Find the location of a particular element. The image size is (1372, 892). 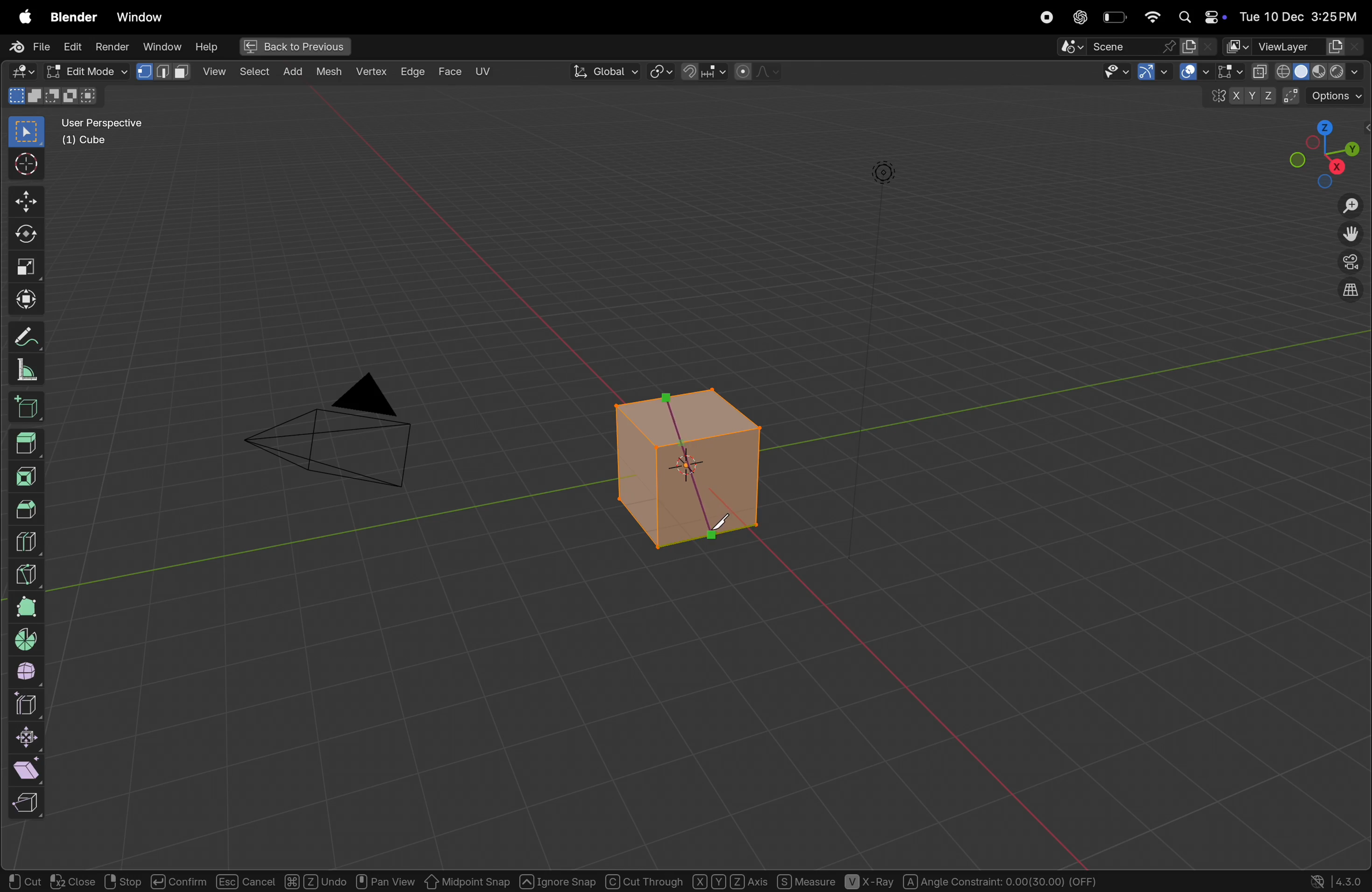

loop cut is located at coordinates (32, 540).